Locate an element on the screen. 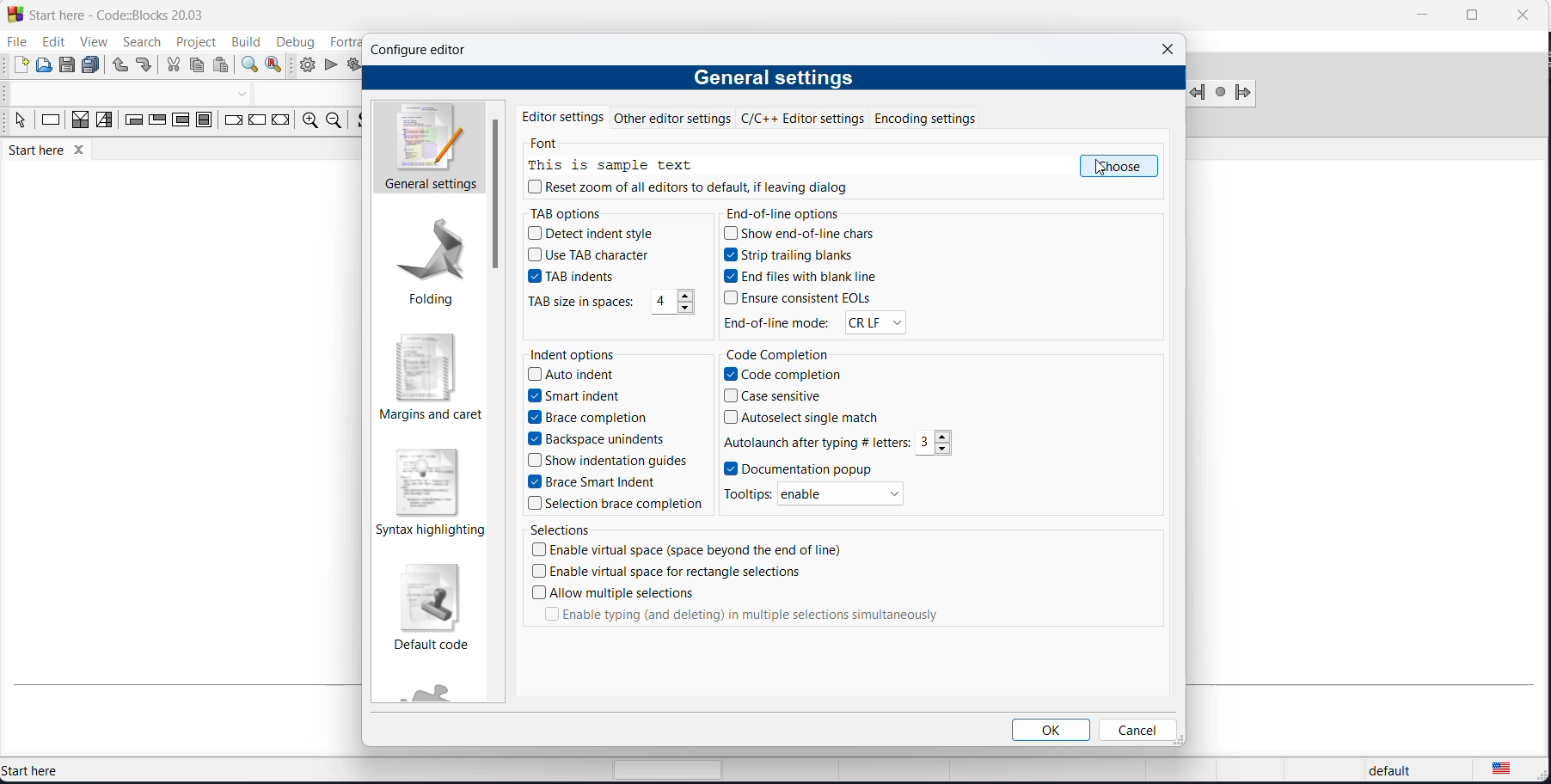 The width and height of the screenshot is (1551, 784). show end of line chars checkbox is located at coordinates (807, 236).